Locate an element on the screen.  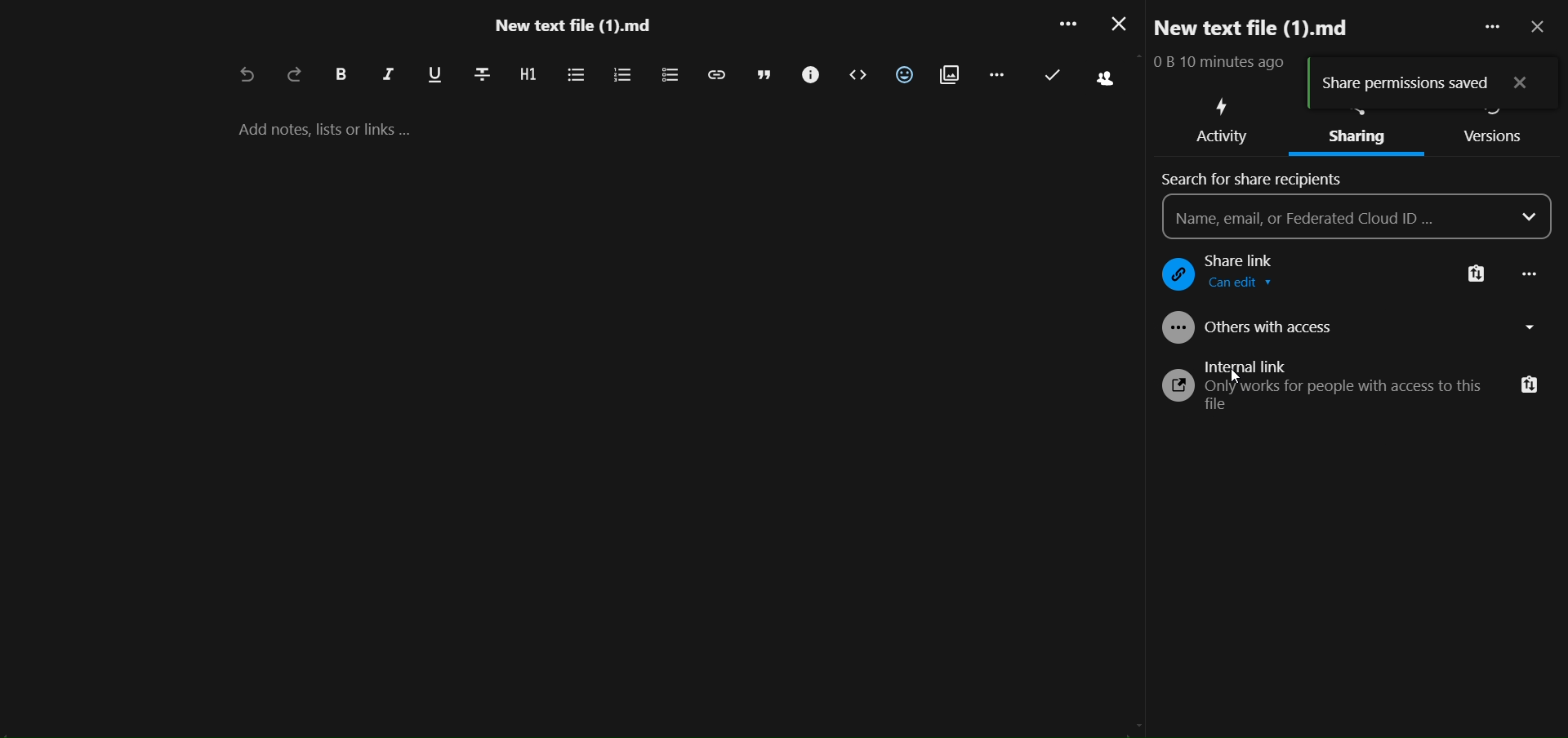
code block is located at coordinates (858, 76).